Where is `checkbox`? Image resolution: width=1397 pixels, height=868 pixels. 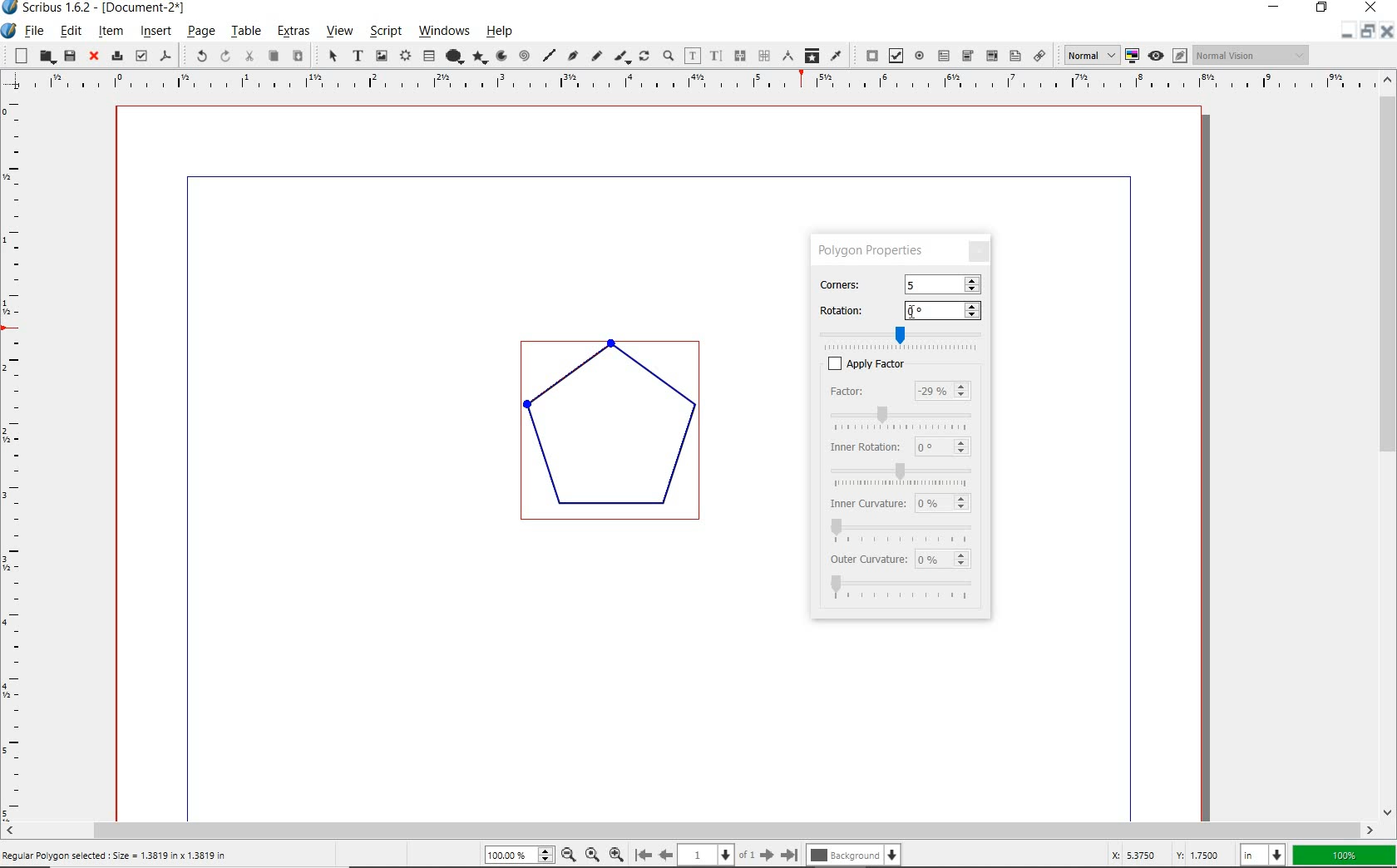 checkbox is located at coordinates (828, 363).